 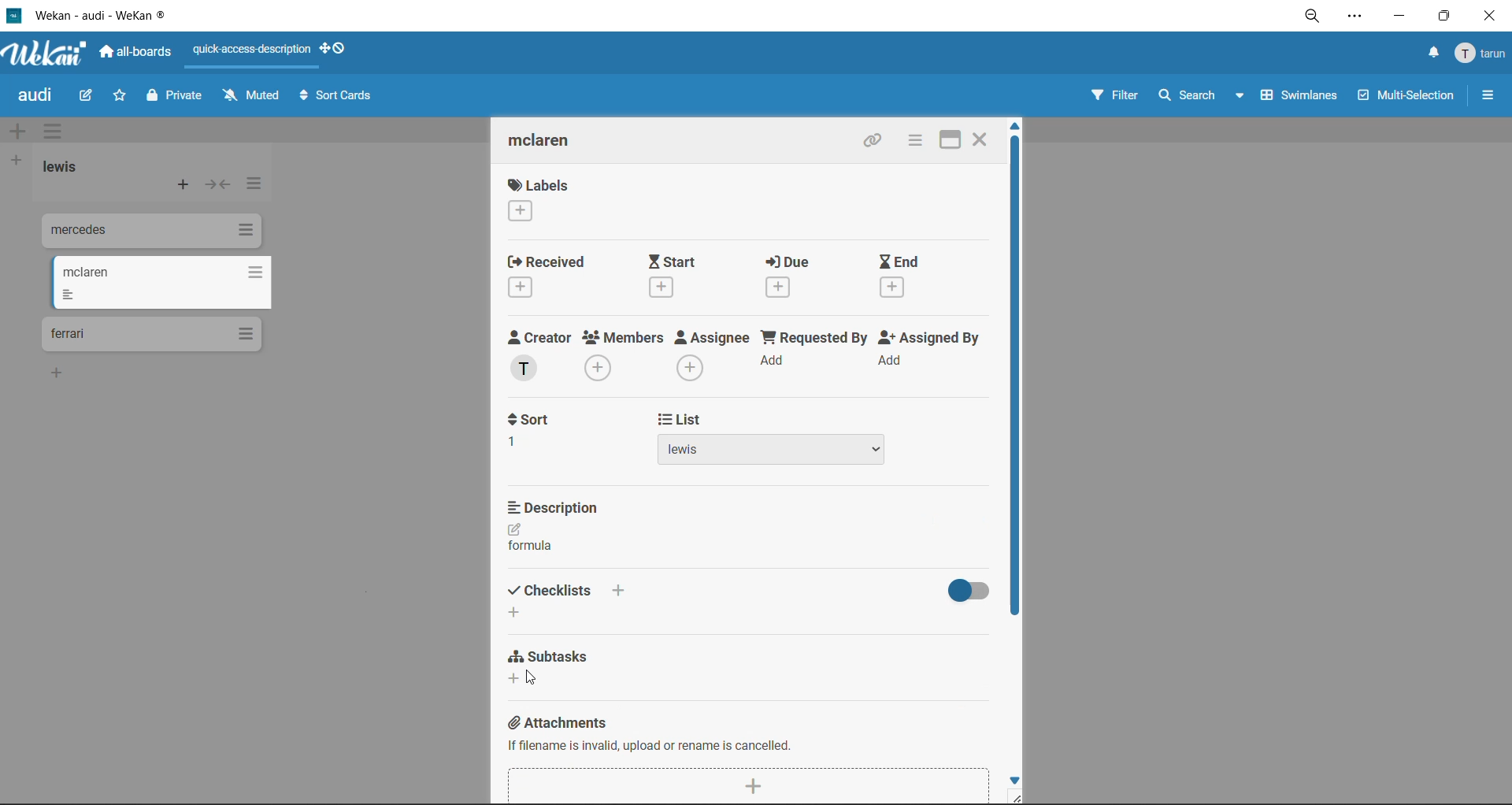 I want to click on creator, so click(x=543, y=356).